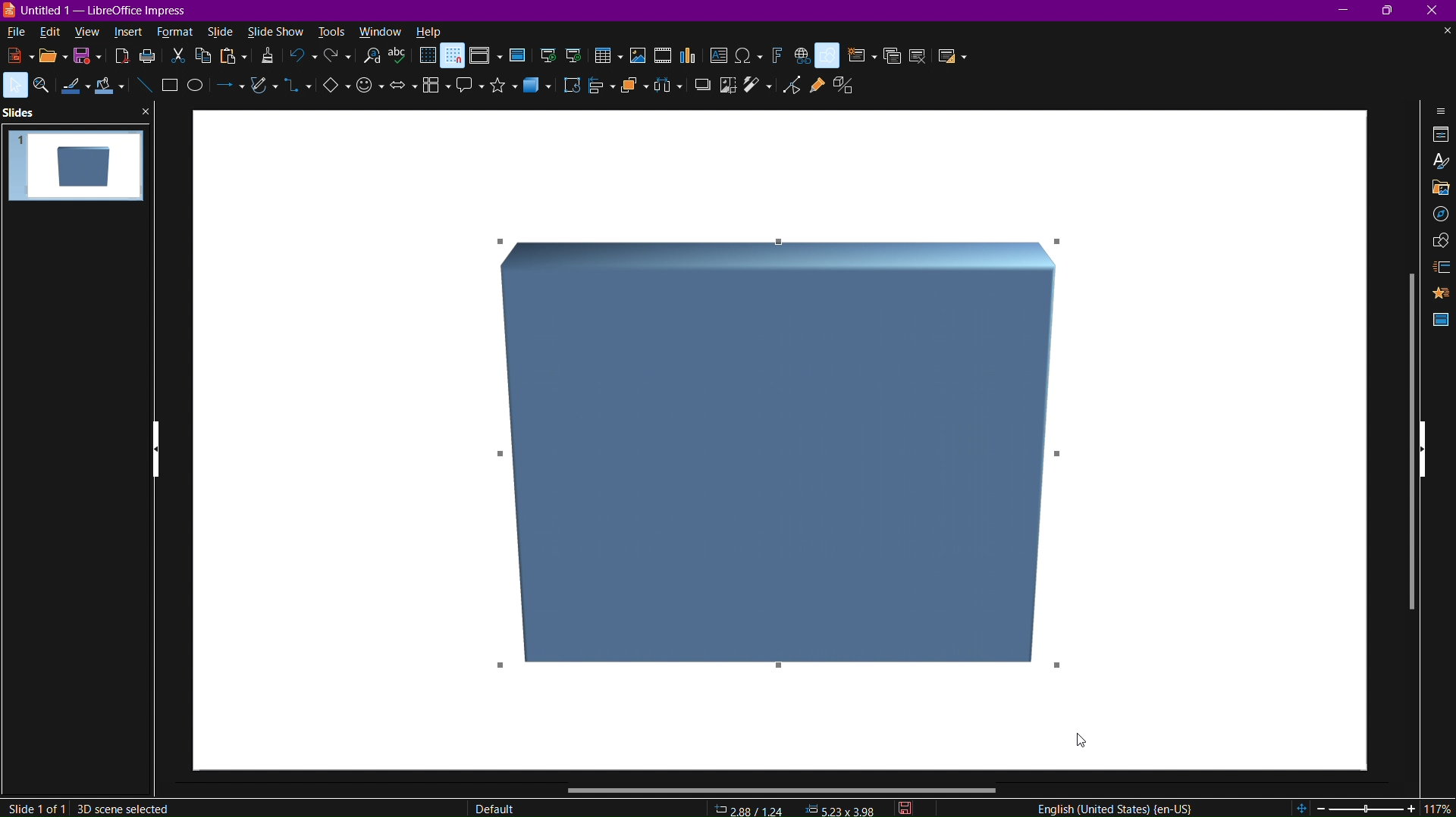 The image size is (1456, 817). What do you see at coordinates (859, 56) in the screenshot?
I see `New Slide` at bounding box center [859, 56].